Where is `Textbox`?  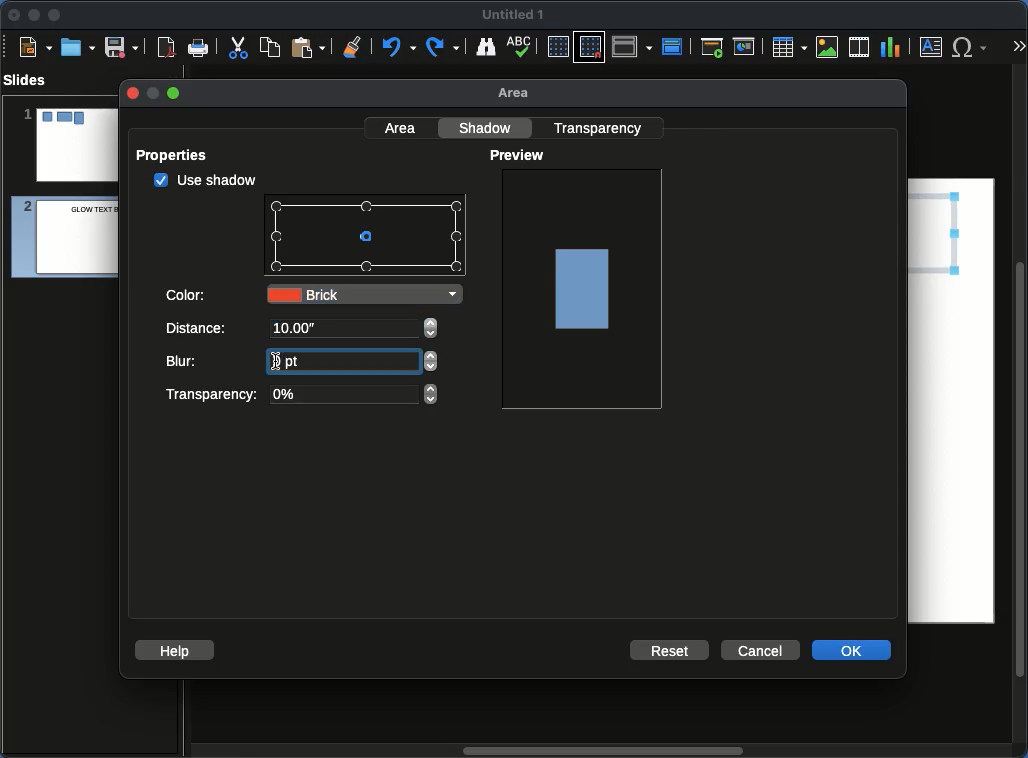
Textbox is located at coordinates (932, 46).